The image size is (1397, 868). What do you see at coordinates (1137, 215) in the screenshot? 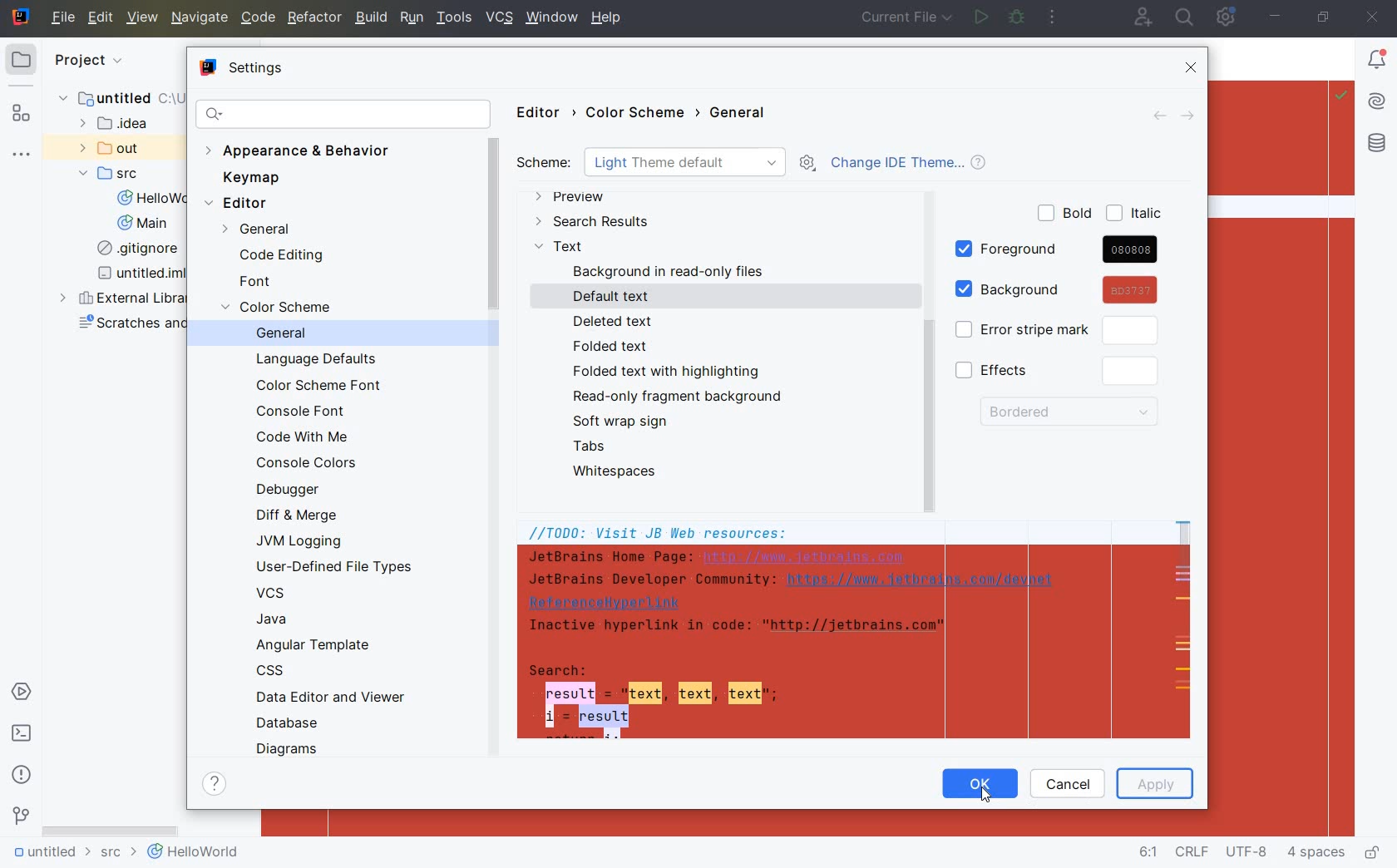
I see `ITALIC` at bounding box center [1137, 215].